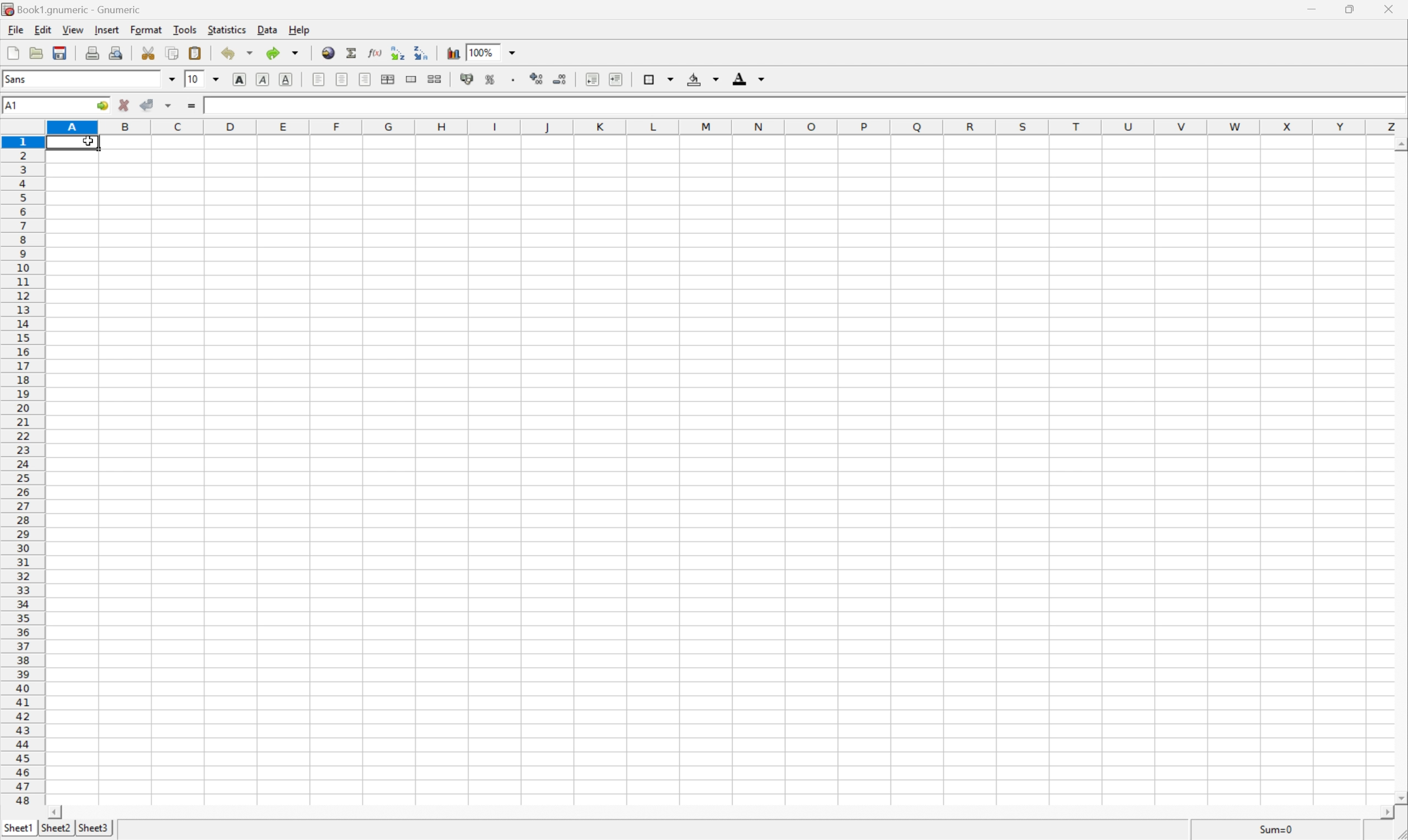 This screenshot has height=840, width=1408. I want to click on bold, so click(241, 79).